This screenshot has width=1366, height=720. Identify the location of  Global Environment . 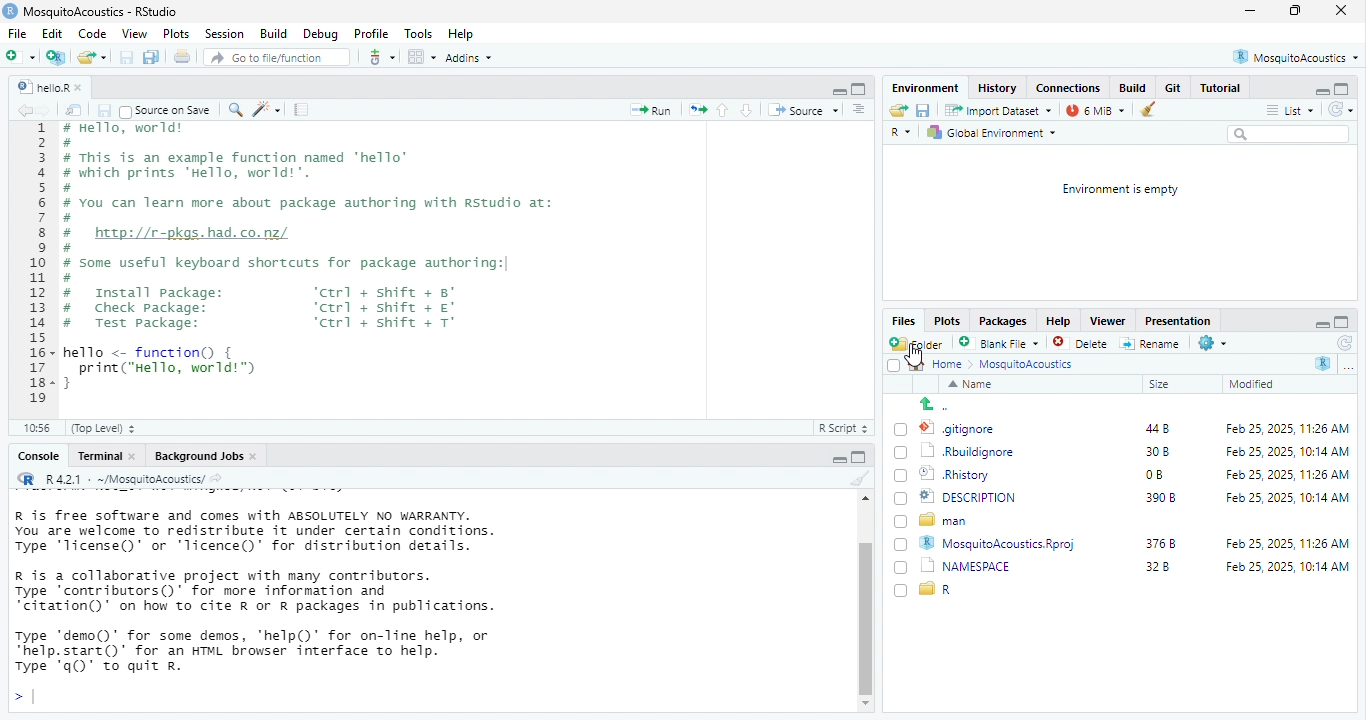
(996, 134).